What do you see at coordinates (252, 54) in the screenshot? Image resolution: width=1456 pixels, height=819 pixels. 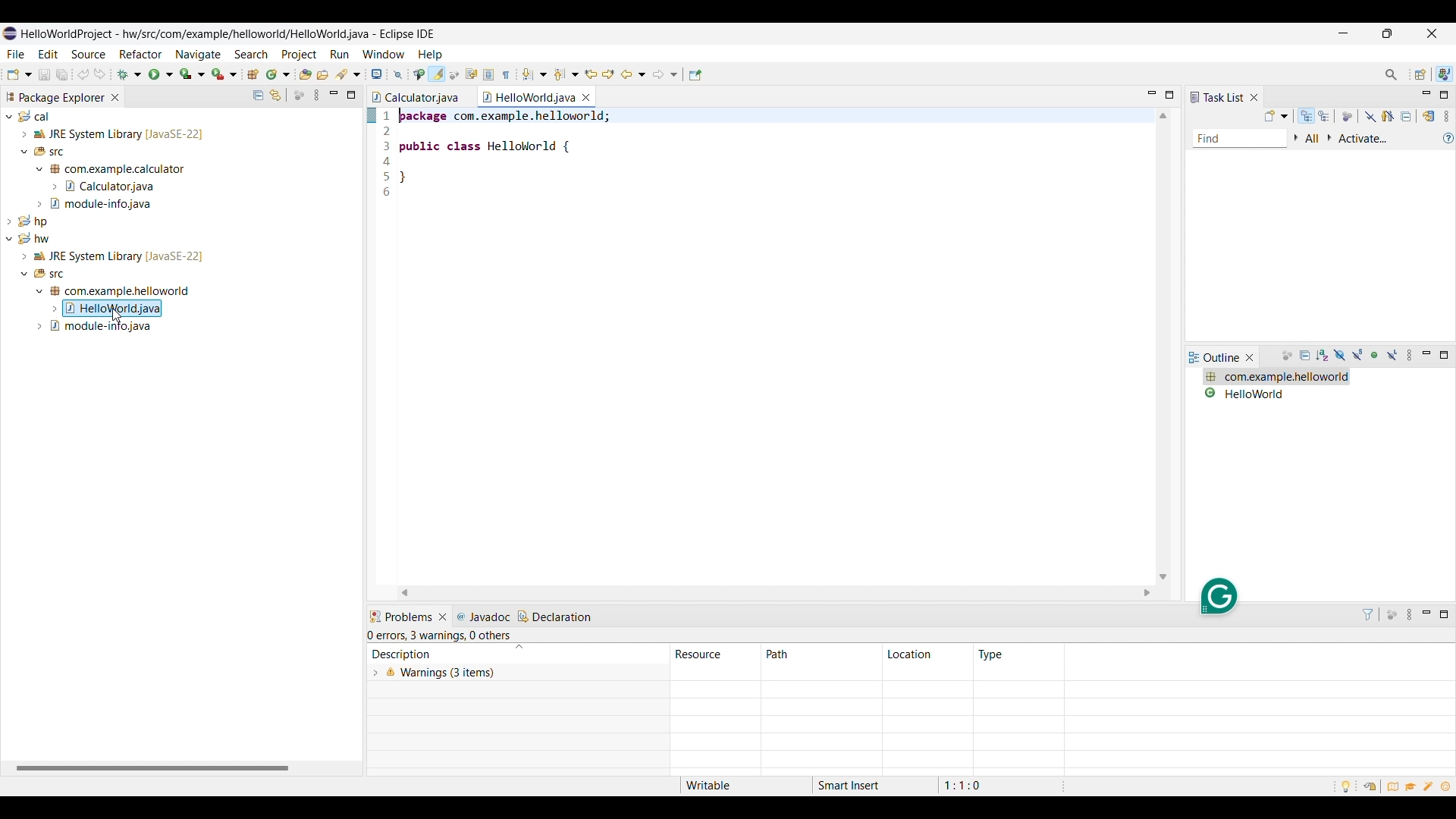 I see `Search` at bounding box center [252, 54].